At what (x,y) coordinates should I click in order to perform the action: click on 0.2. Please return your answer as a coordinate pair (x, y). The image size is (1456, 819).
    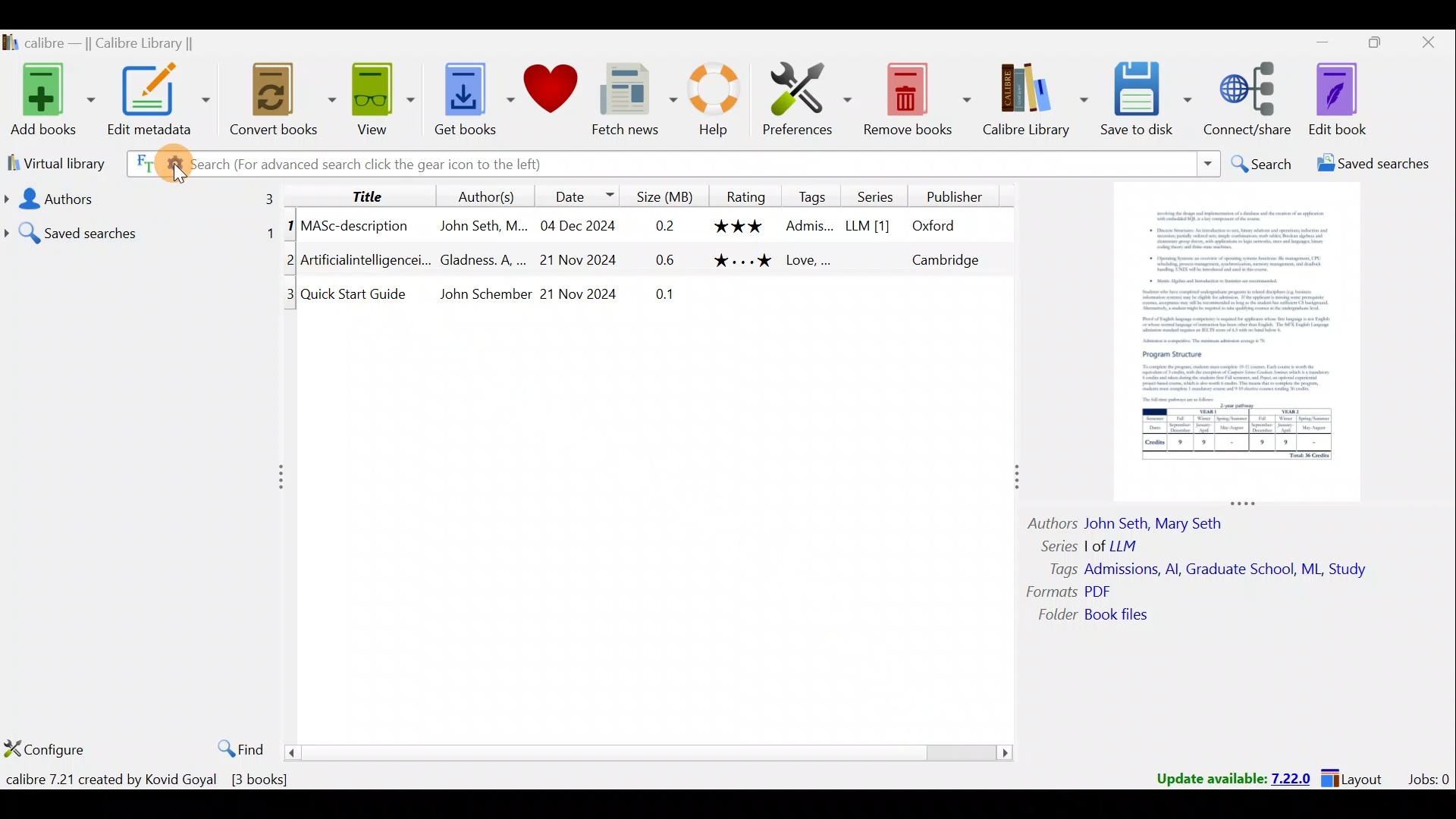
    Looking at the image, I should click on (665, 227).